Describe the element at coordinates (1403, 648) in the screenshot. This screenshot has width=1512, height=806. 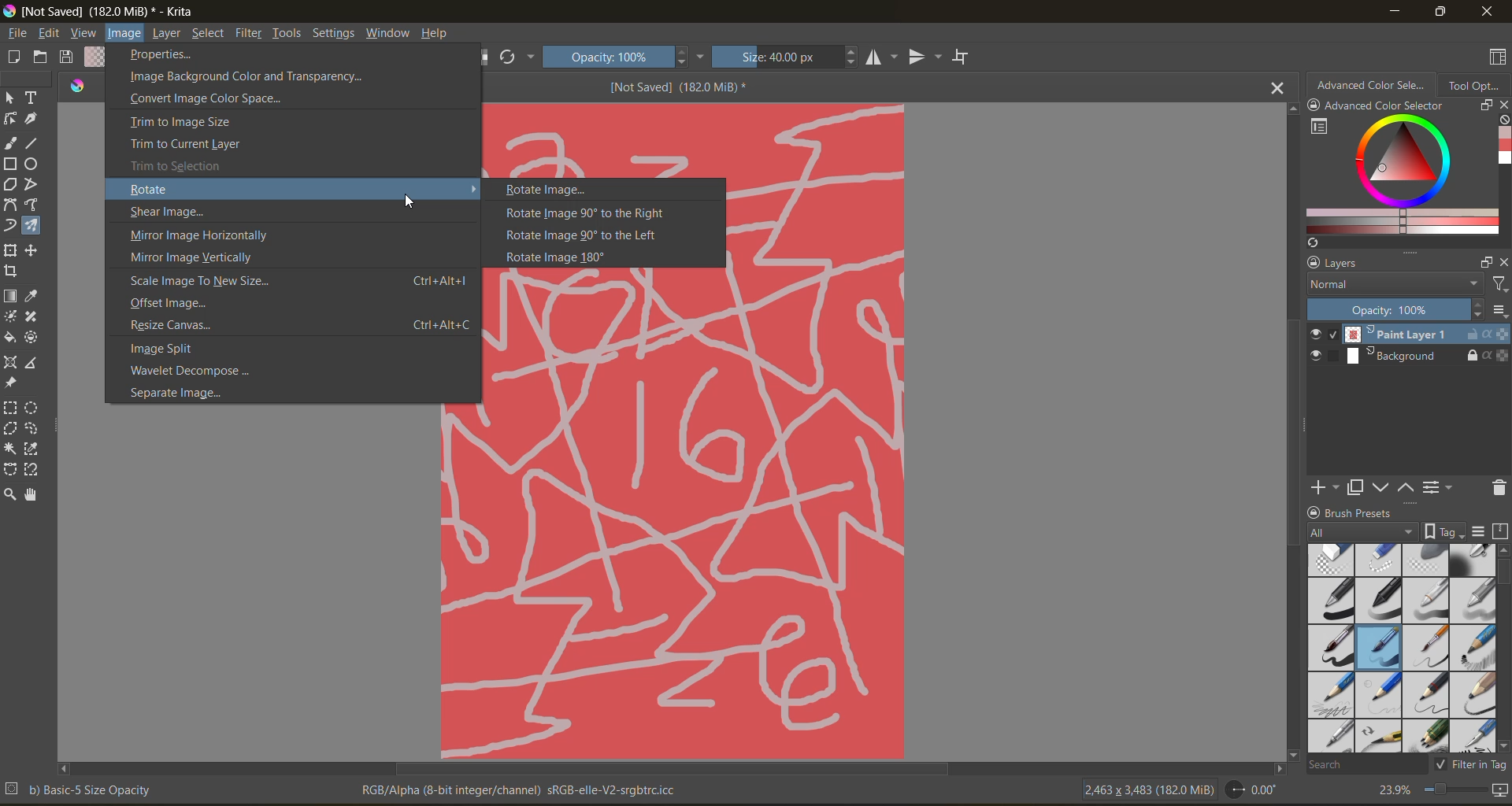
I see `brush presets` at that location.